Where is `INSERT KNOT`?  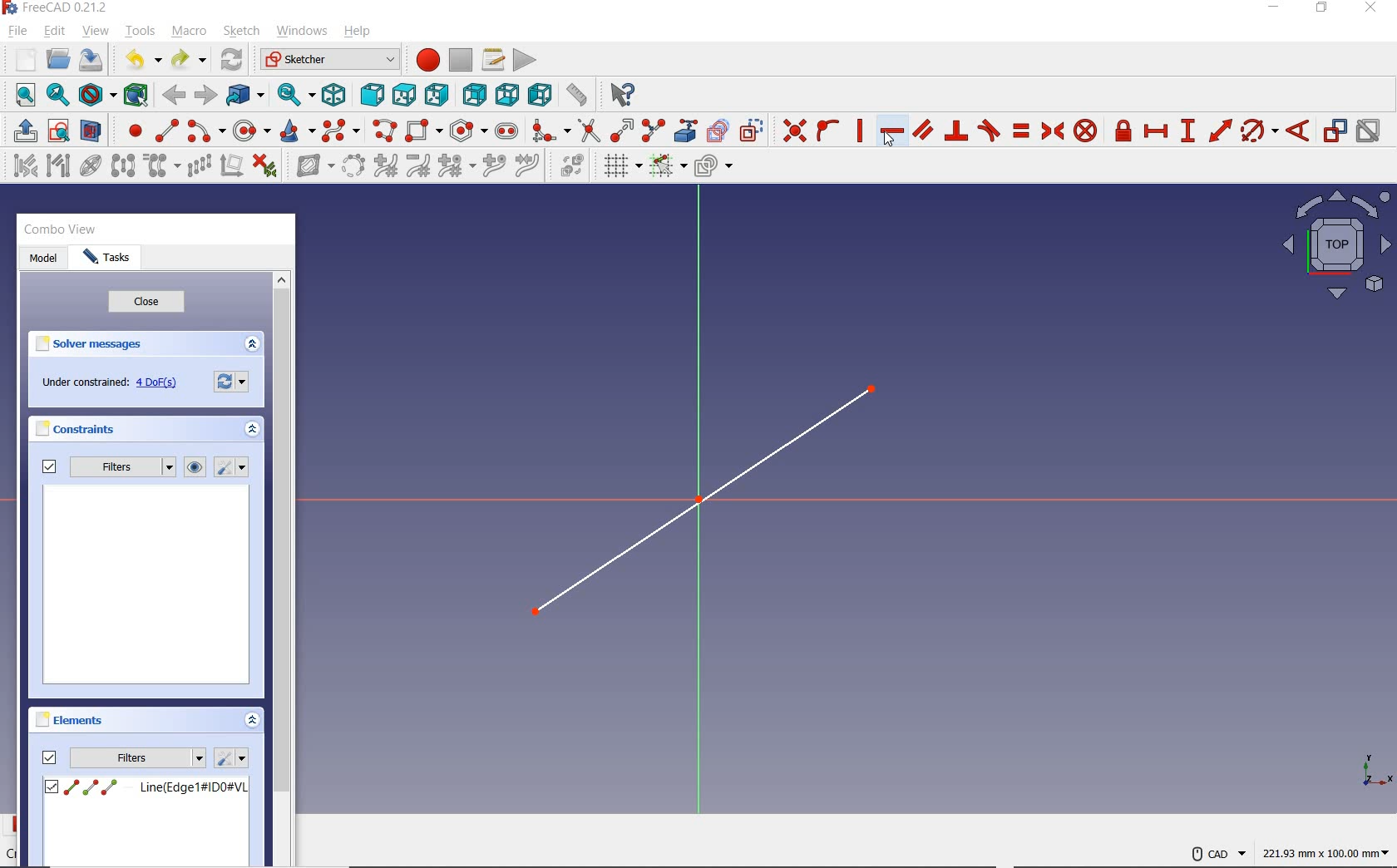 INSERT KNOT is located at coordinates (491, 167).